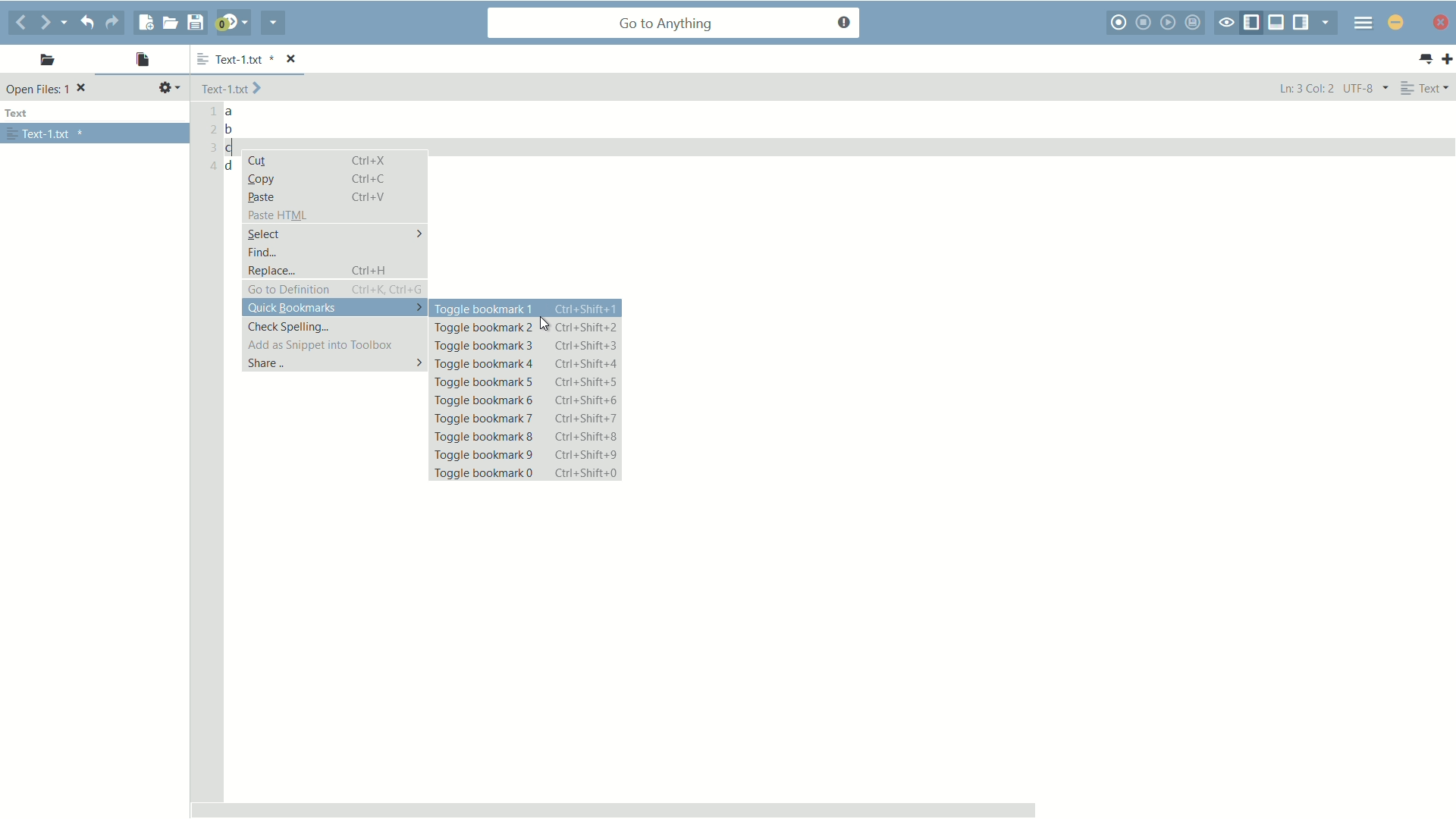  I want to click on go forward, so click(46, 24).